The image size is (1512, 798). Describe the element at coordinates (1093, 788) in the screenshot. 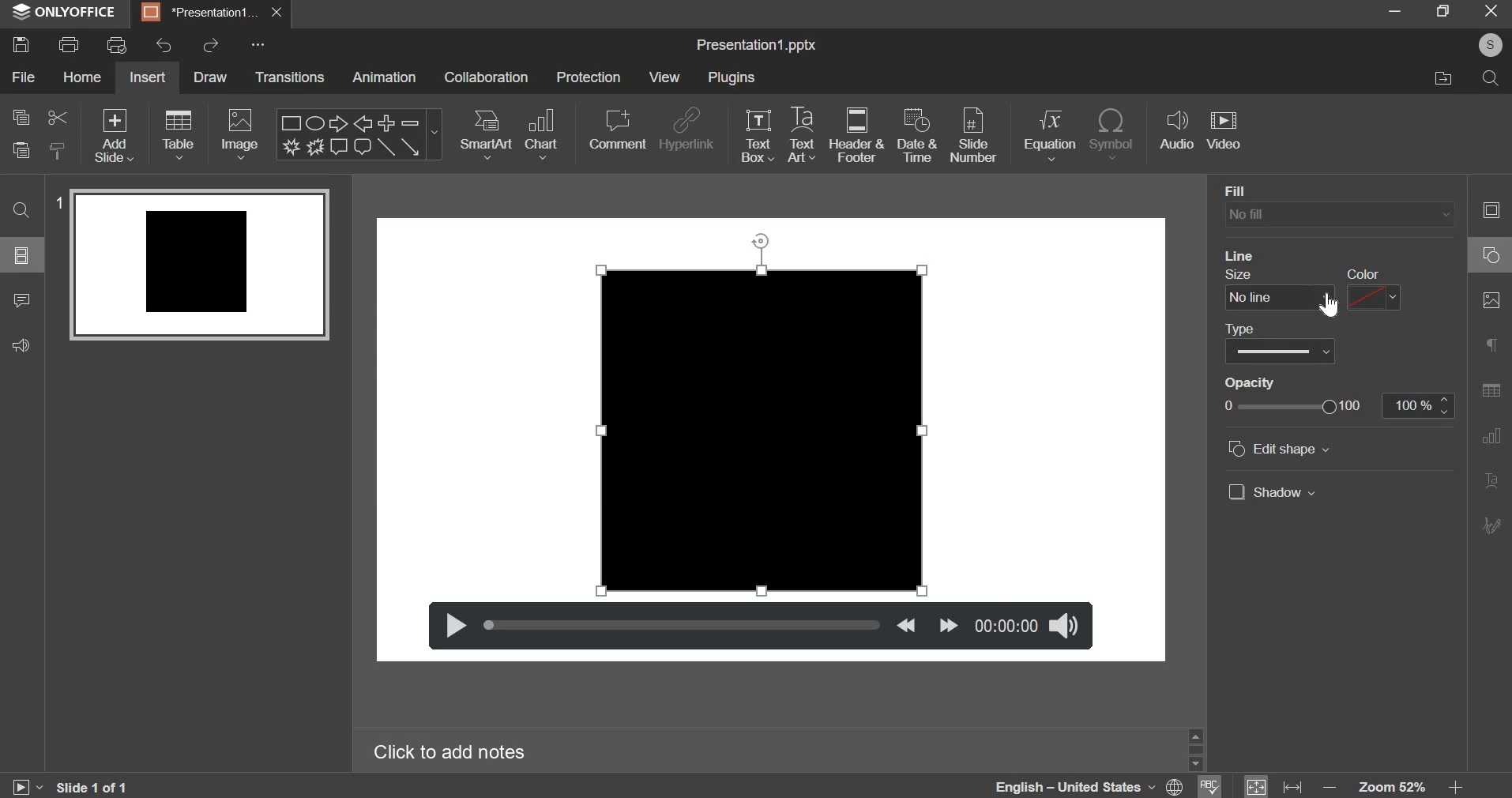

I see `language` at that location.